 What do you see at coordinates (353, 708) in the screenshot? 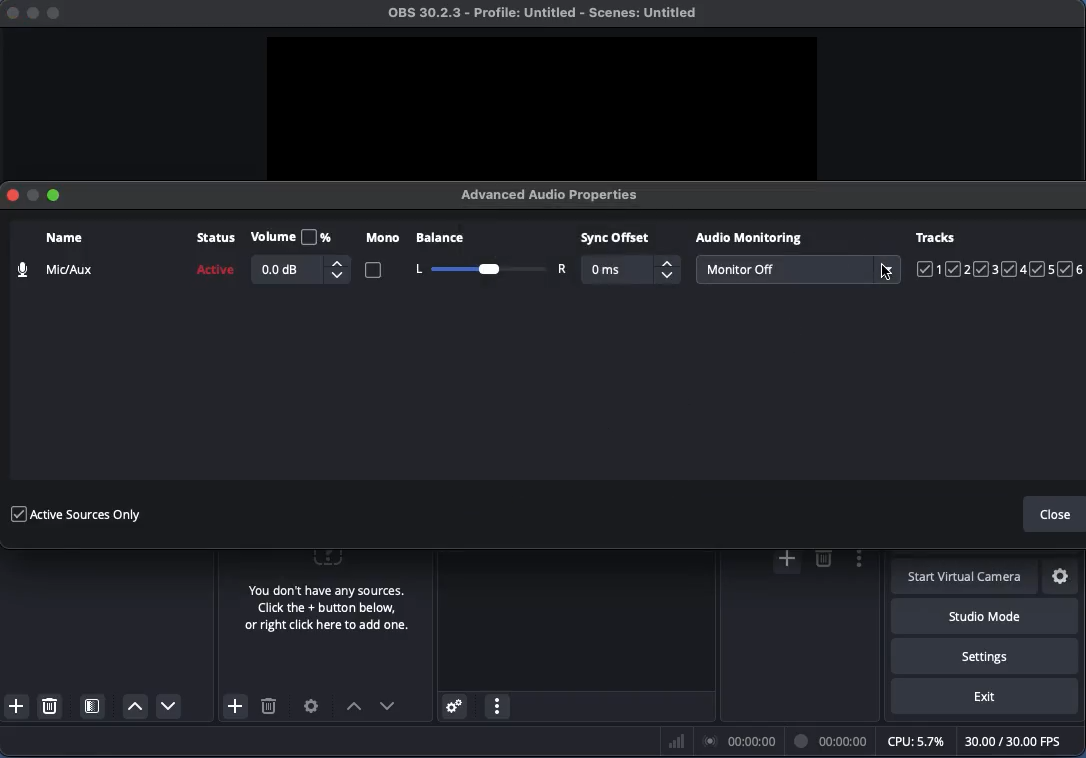
I see `Move up` at bounding box center [353, 708].